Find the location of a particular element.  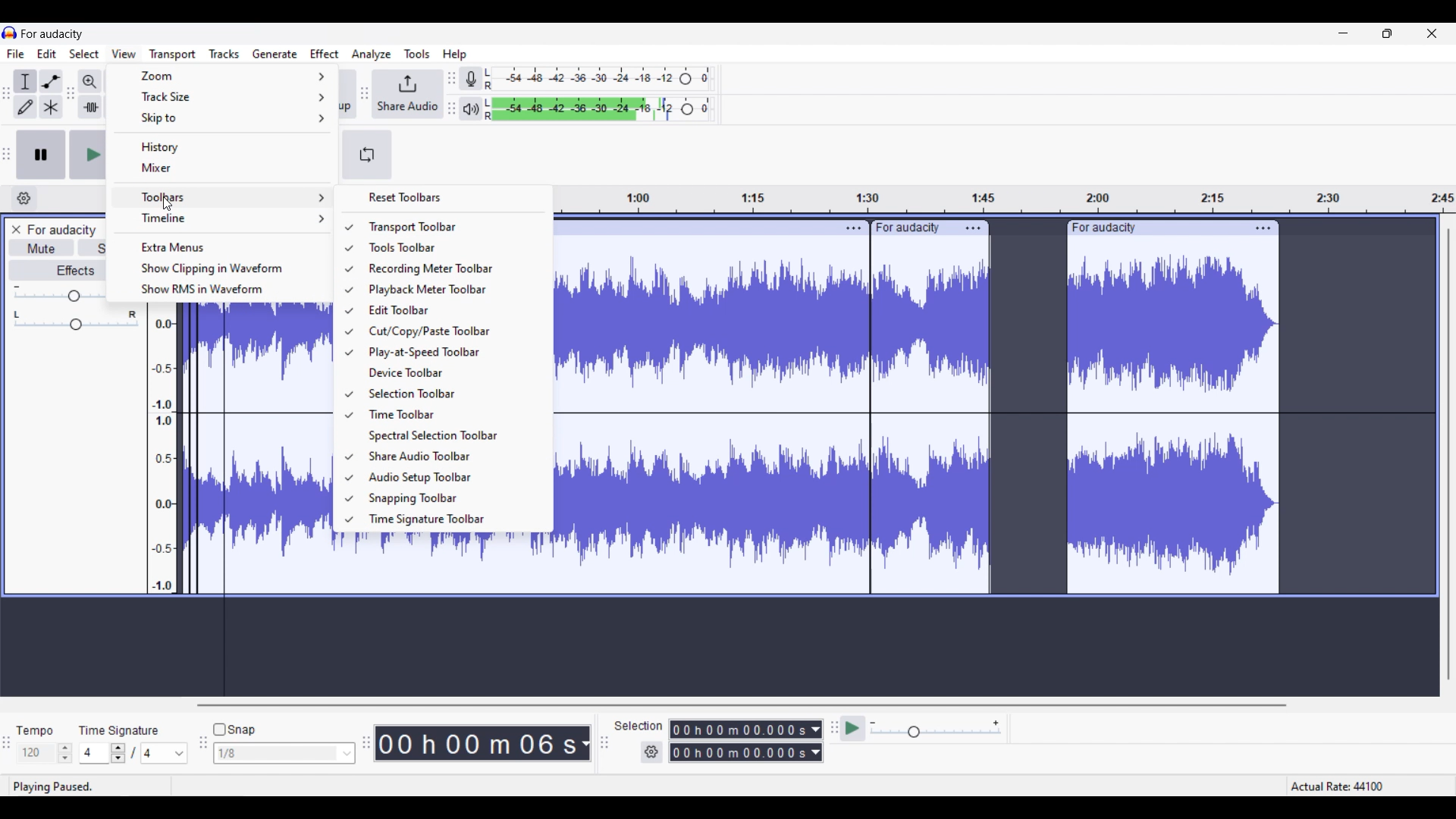

Software logo is located at coordinates (10, 33).